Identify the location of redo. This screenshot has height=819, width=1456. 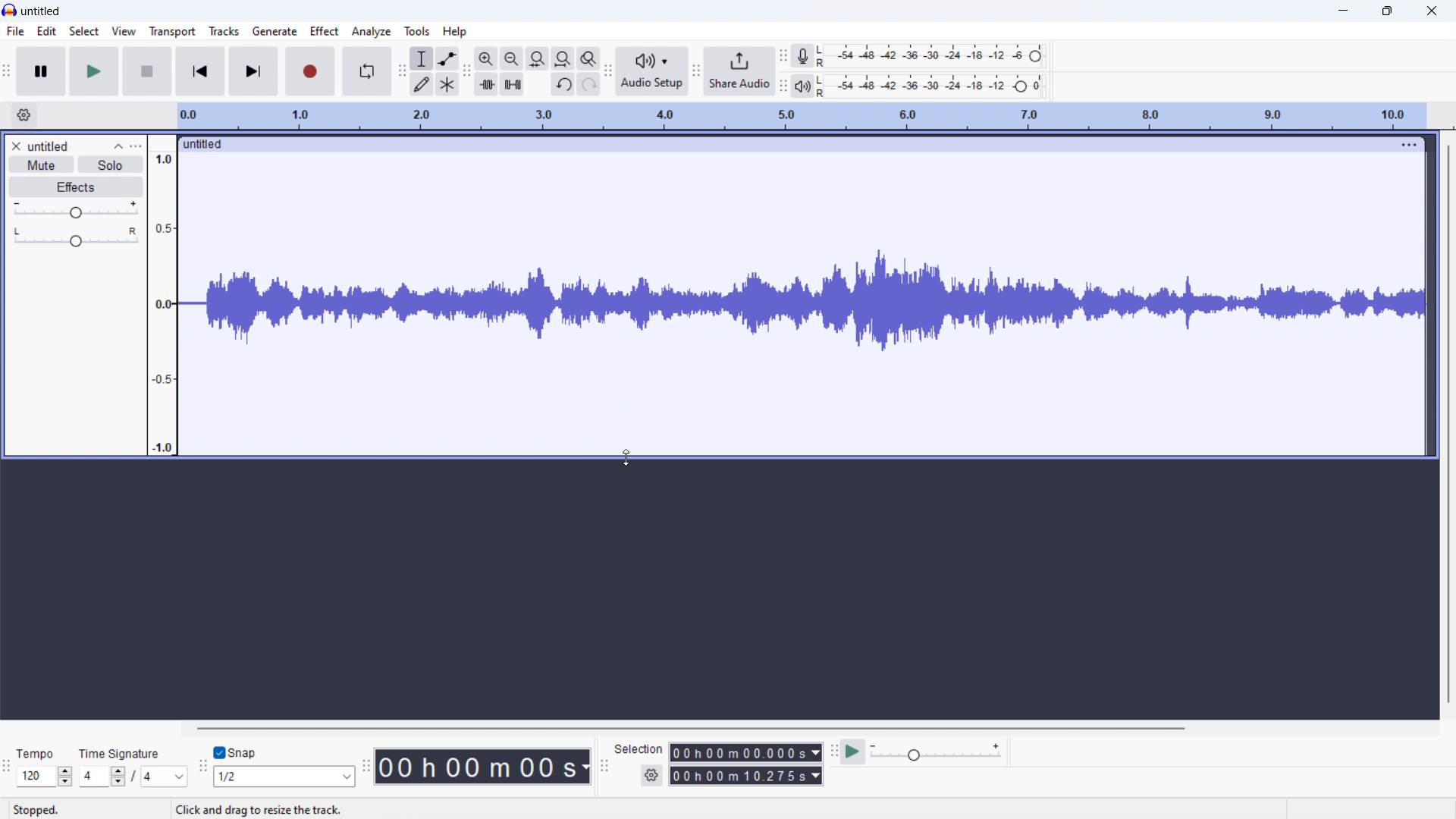
(588, 84).